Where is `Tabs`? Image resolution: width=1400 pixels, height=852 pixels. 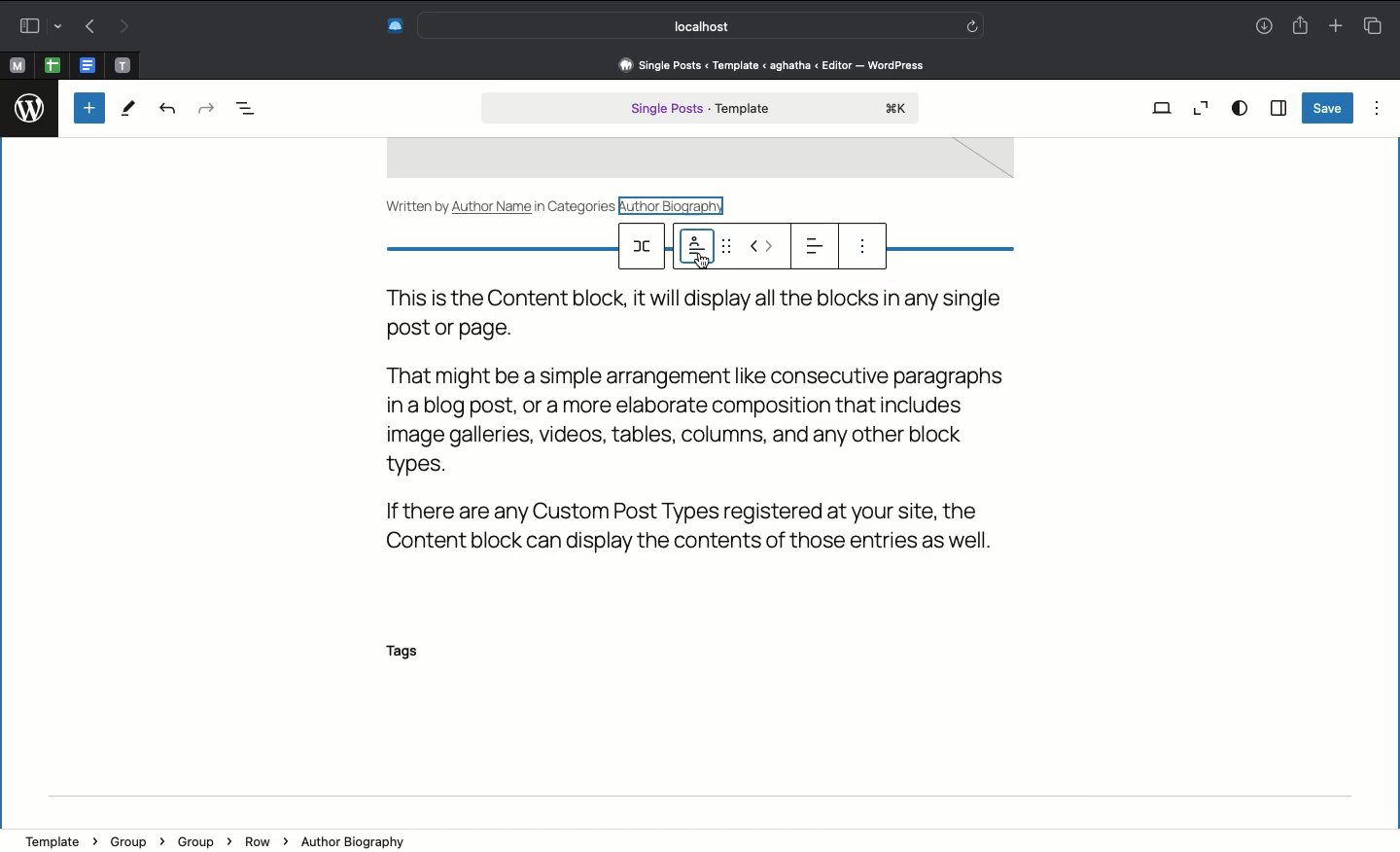
Tabs is located at coordinates (1372, 25).